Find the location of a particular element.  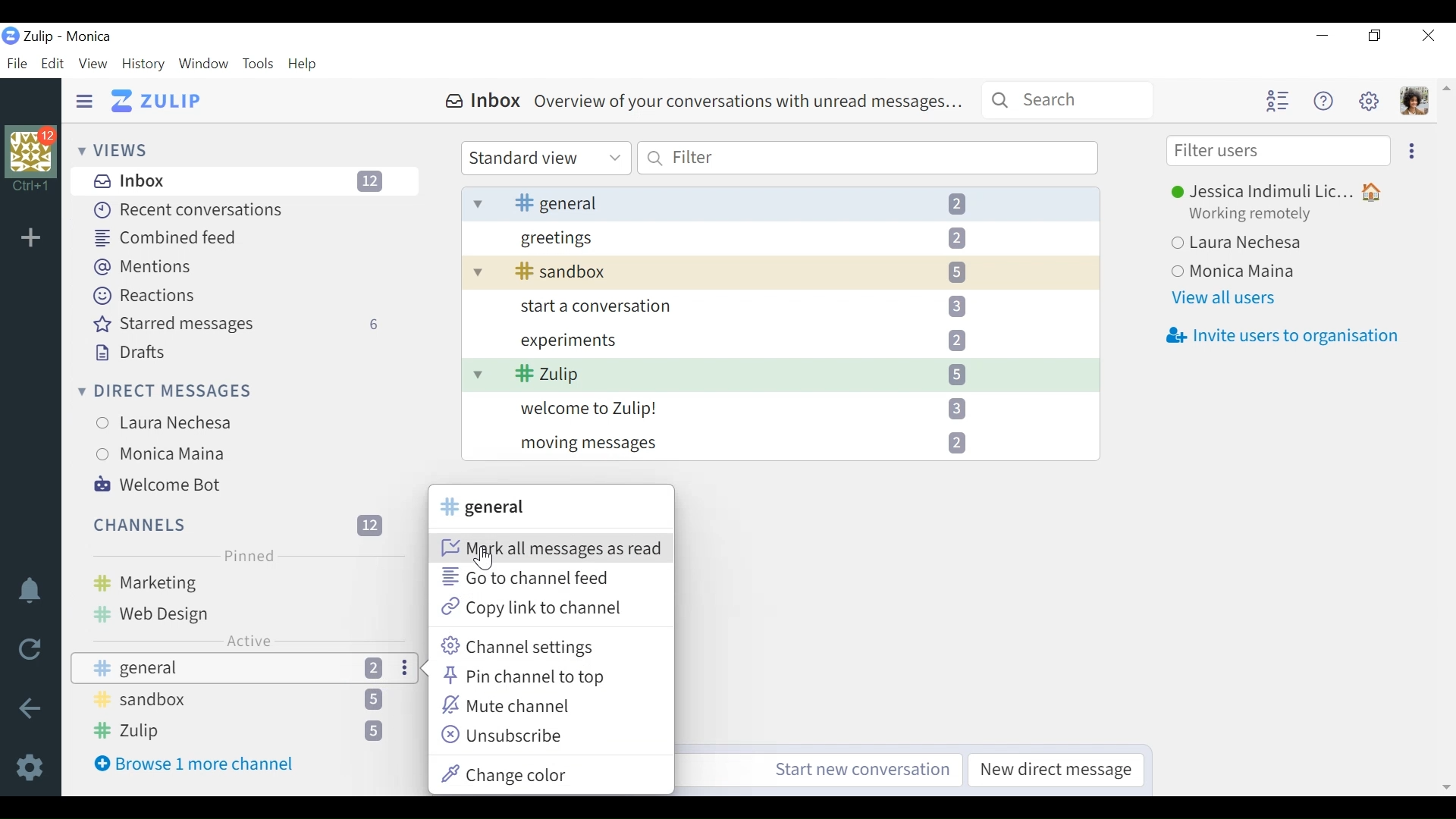

Tools is located at coordinates (259, 64).